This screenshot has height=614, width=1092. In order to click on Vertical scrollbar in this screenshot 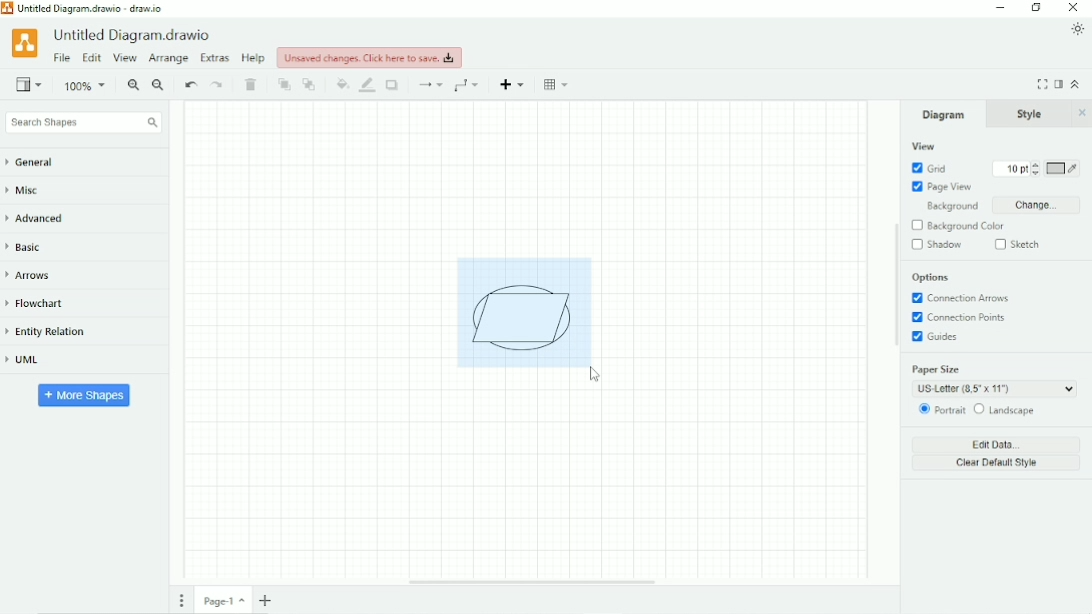, I will do `click(894, 286)`.